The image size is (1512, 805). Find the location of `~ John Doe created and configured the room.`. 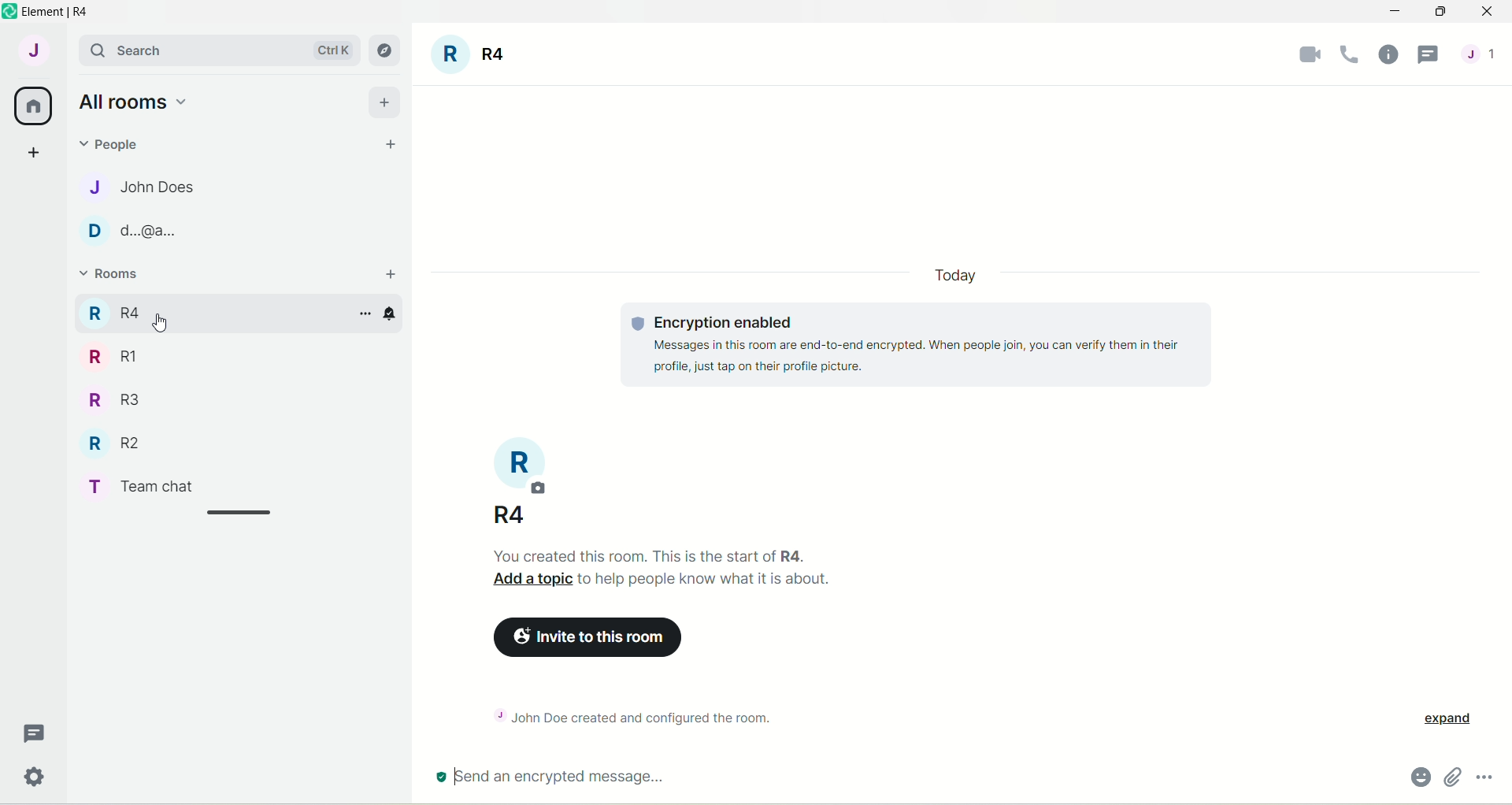

~ John Doe created and configured the room. is located at coordinates (649, 715).